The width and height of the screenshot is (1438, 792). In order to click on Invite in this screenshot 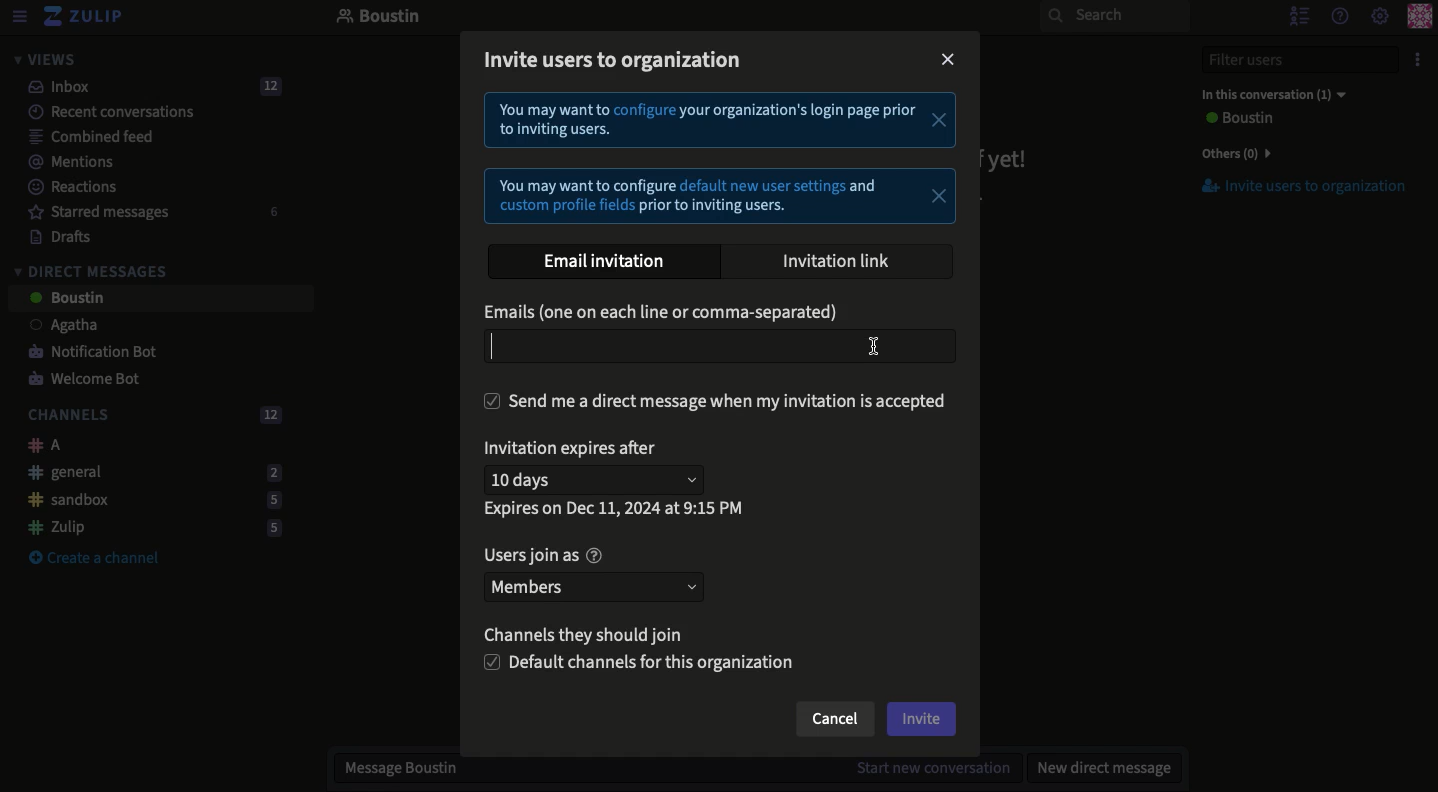, I will do `click(922, 719)`.